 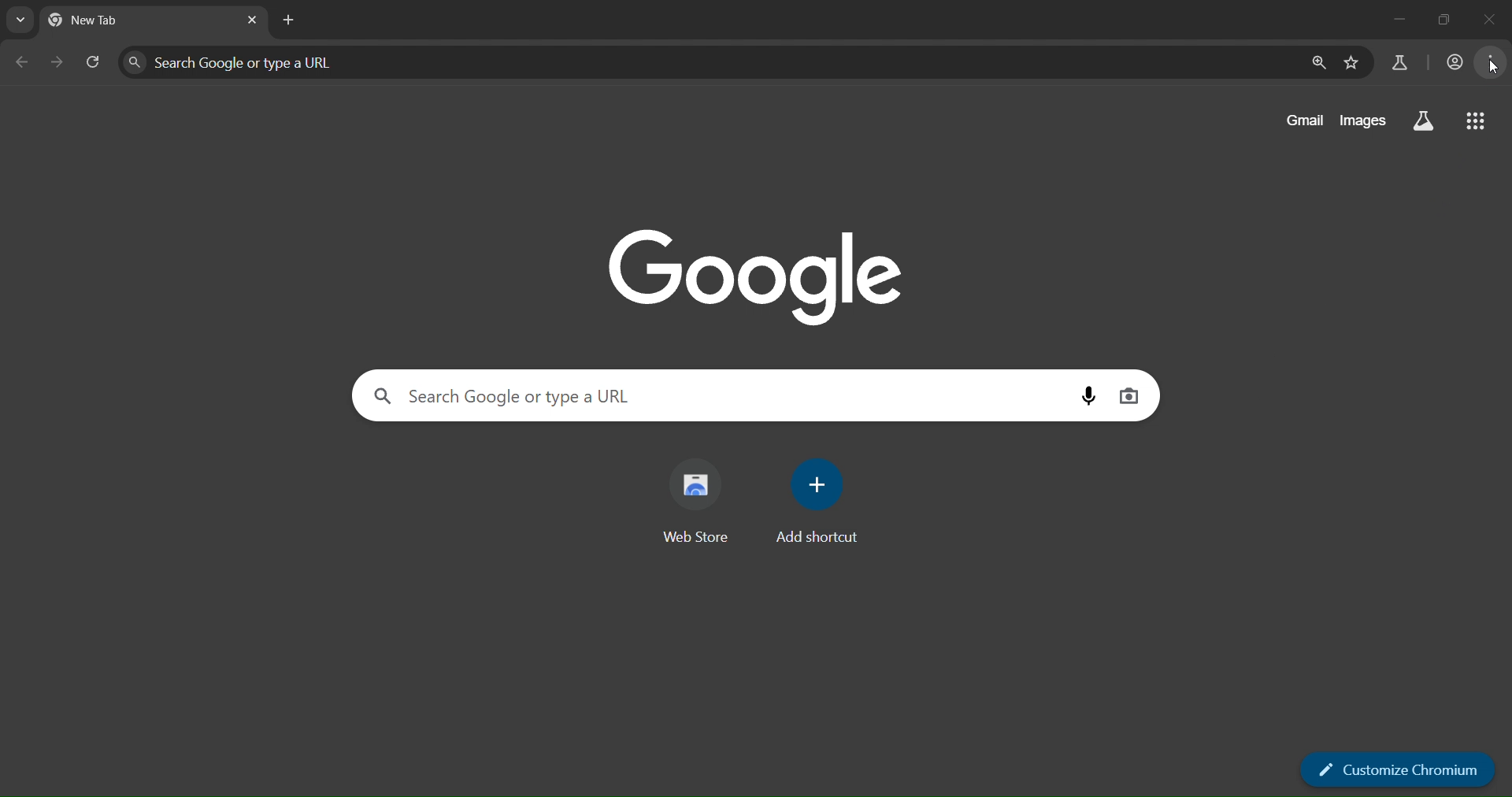 What do you see at coordinates (759, 274) in the screenshot?
I see `image` at bounding box center [759, 274].